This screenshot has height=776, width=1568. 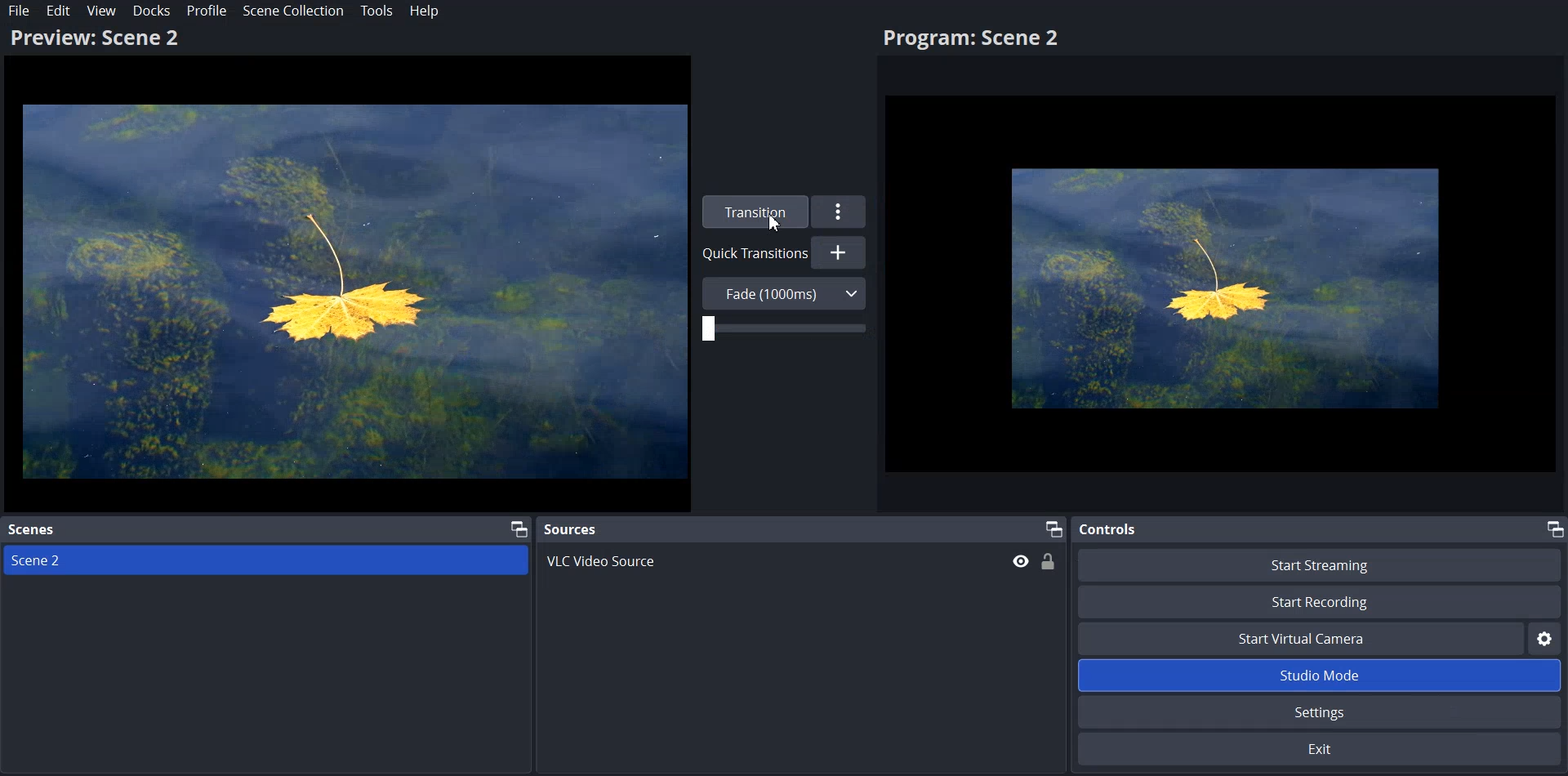 I want to click on Docks, so click(x=151, y=11).